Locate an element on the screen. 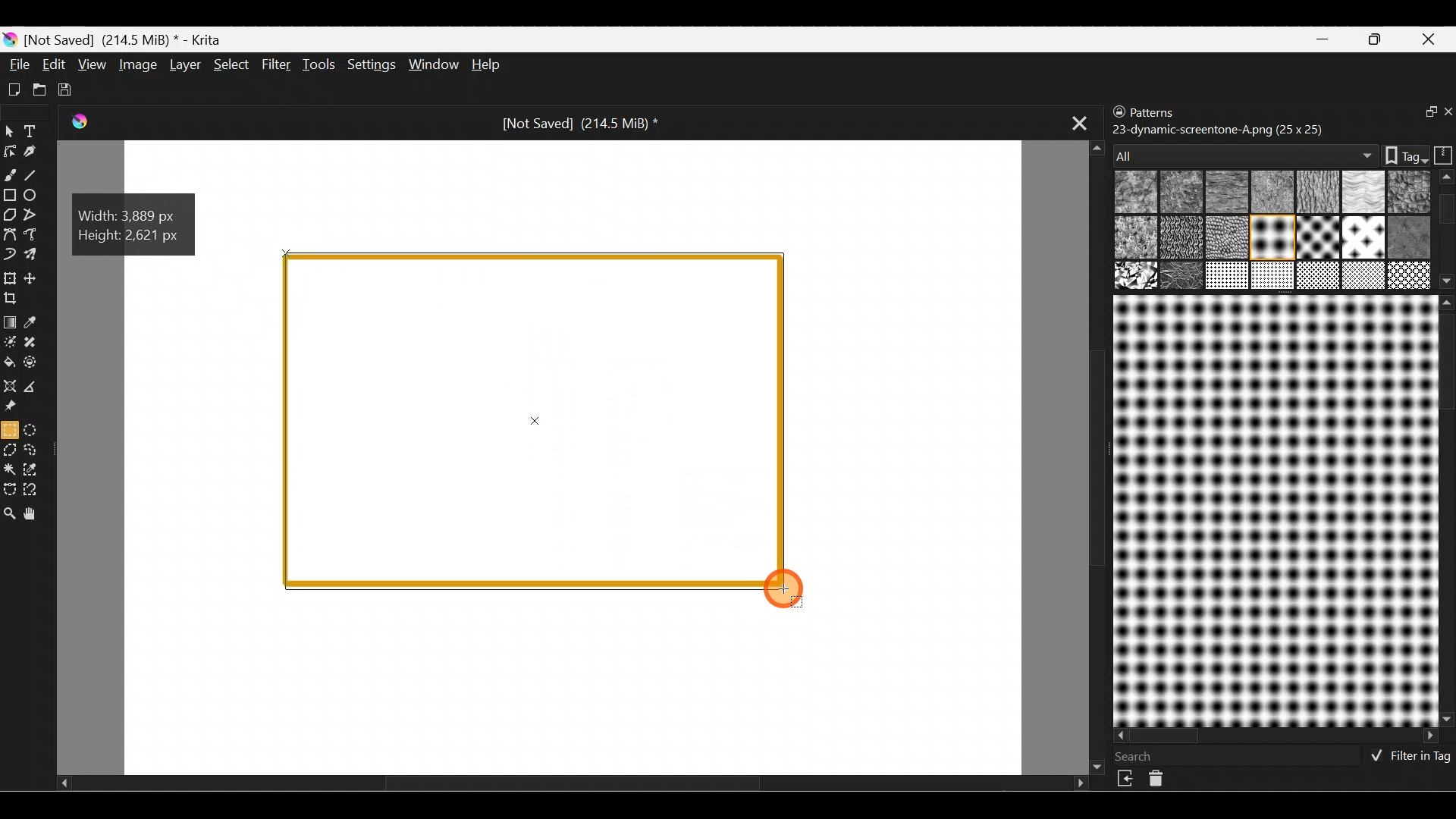 This screenshot has height=819, width=1456. Width: 3.889 px, Height: 2.621 px is located at coordinates (135, 222).